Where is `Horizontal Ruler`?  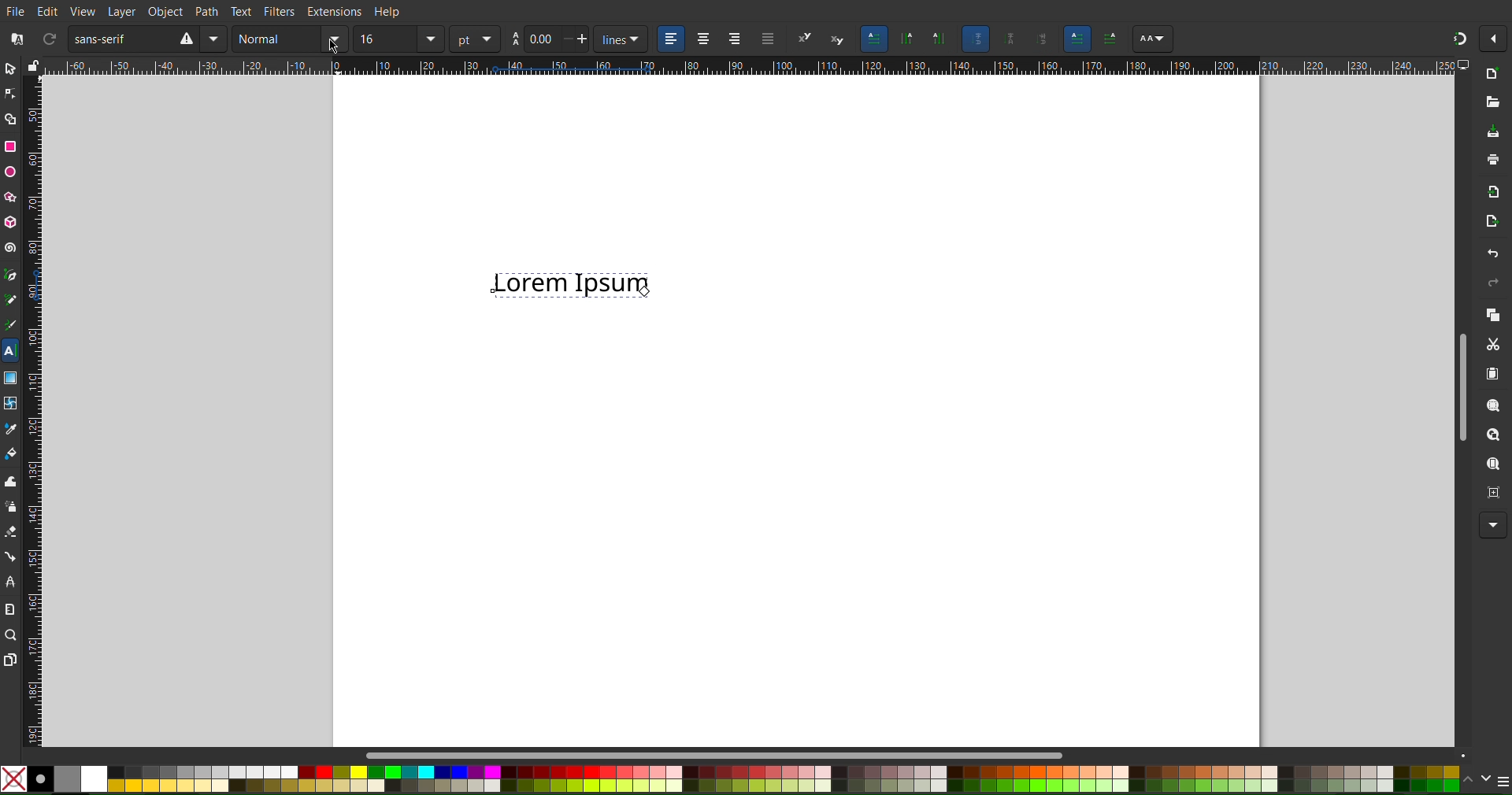
Horizontal Ruler is located at coordinates (758, 67).